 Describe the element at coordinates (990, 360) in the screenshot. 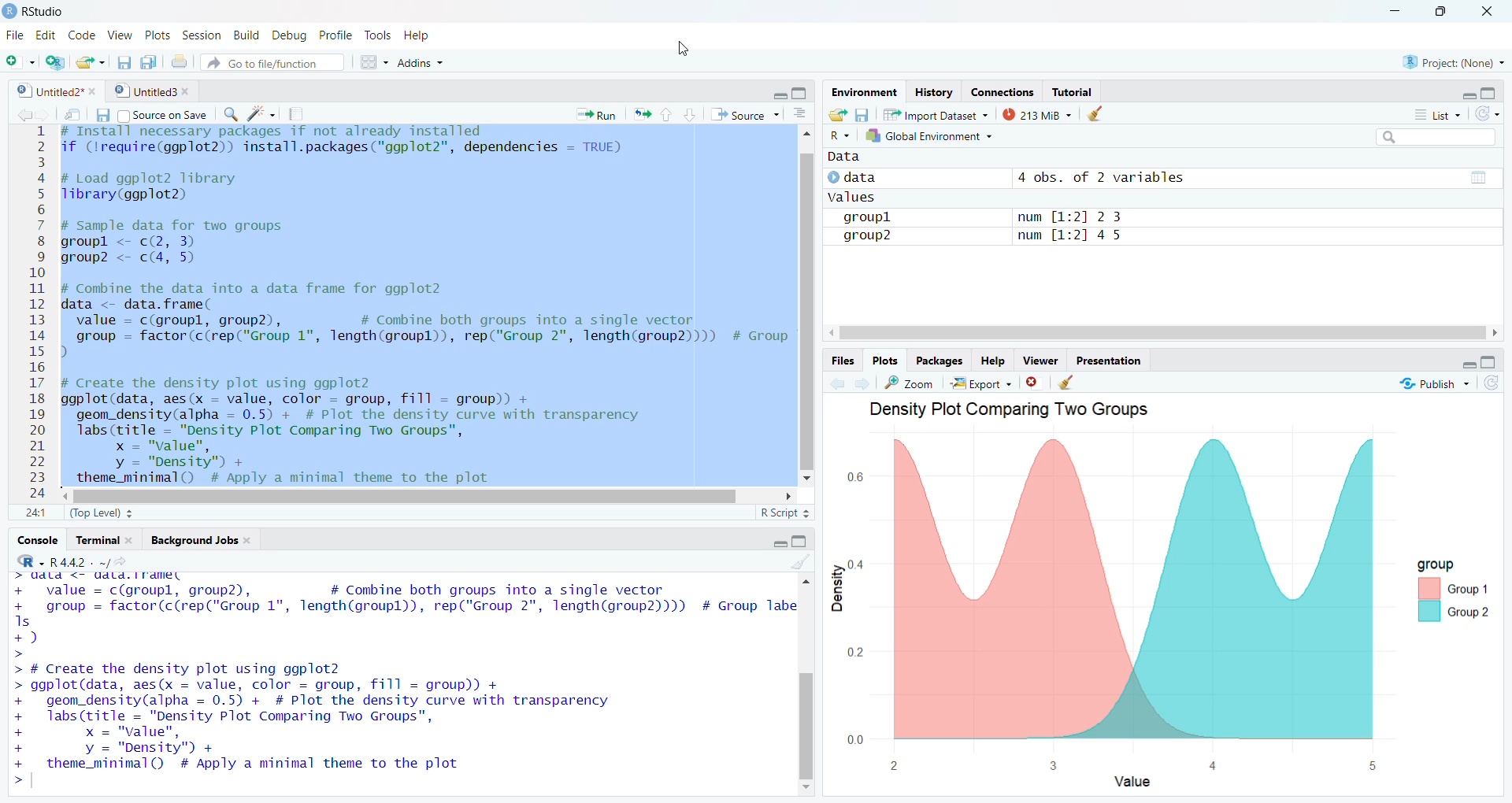

I see `help` at that location.